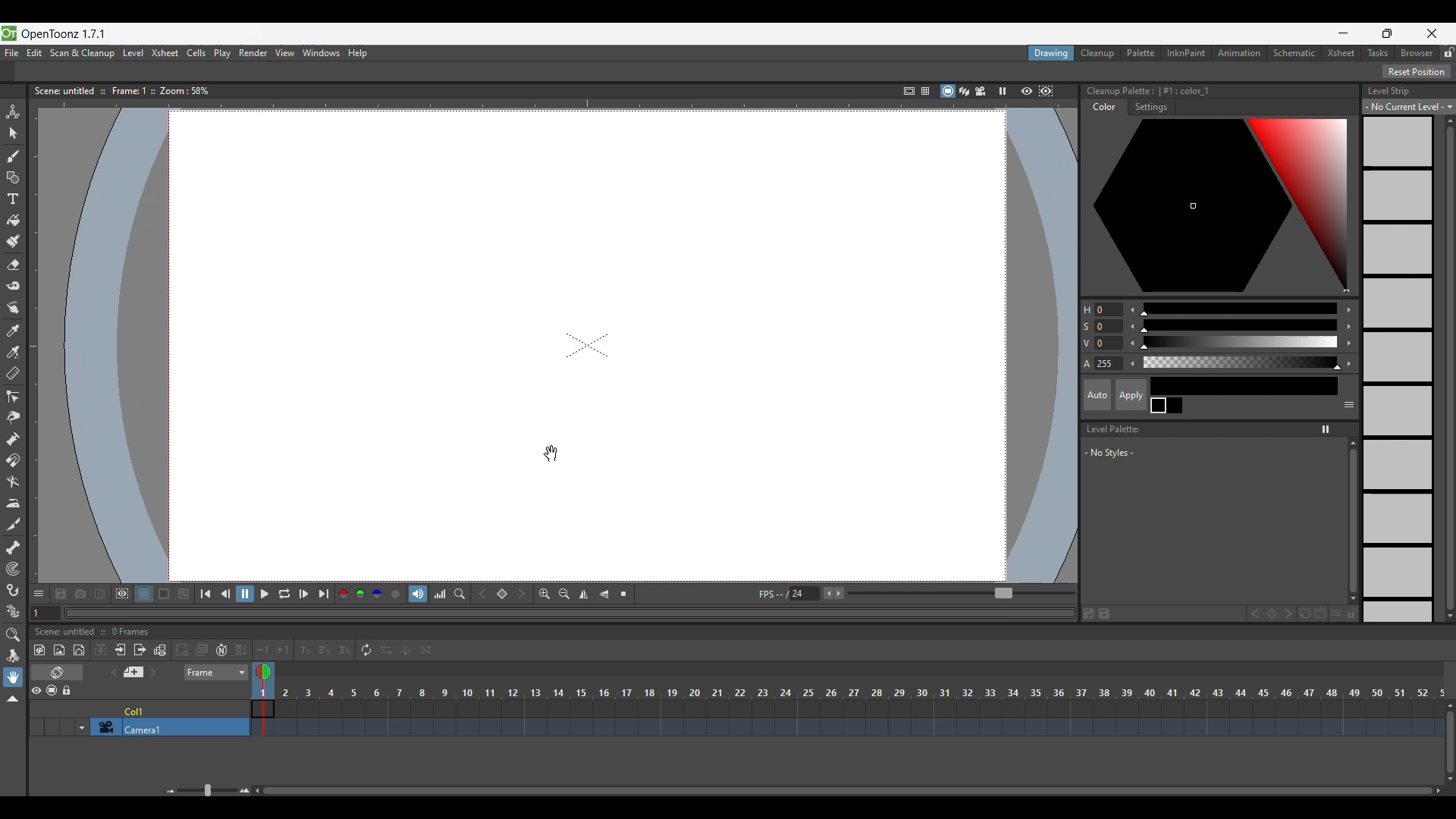 This screenshot has height=819, width=1456. Describe the element at coordinates (1268, 613) in the screenshot. I see `Set key` at that location.